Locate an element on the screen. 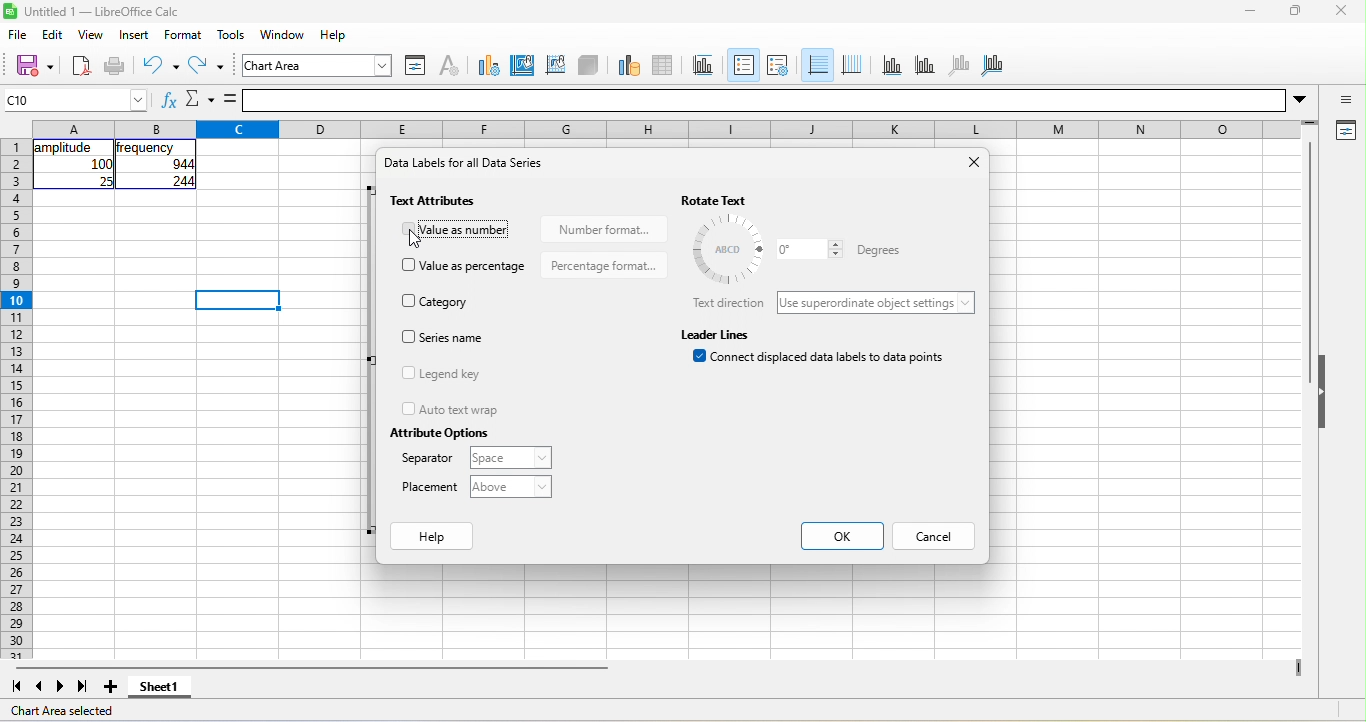 The height and width of the screenshot is (722, 1366). attribute options is located at coordinates (437, 433).